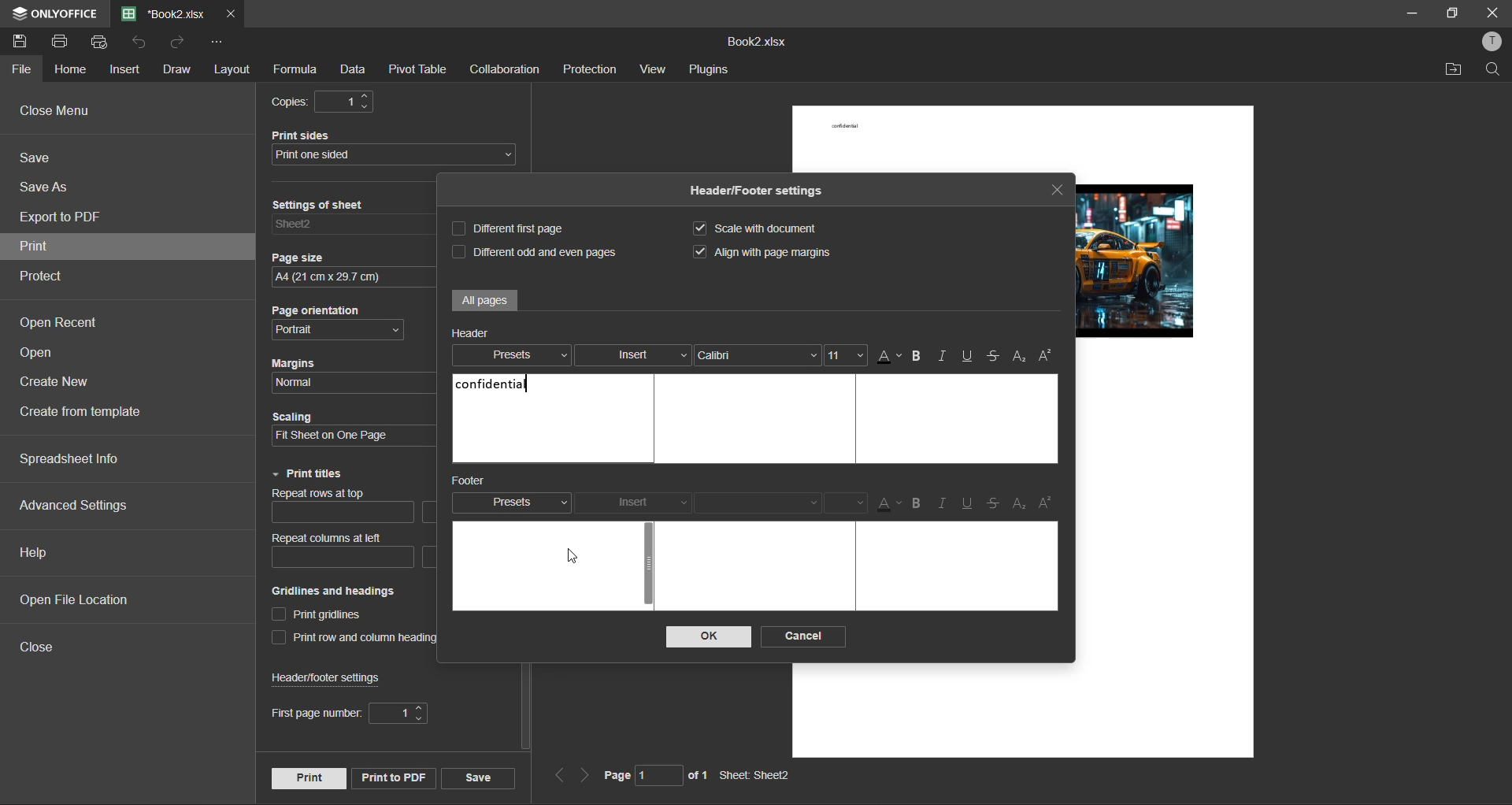  What do you see at coordinates (70, 15) in the screenshot?
I see `ONLYOFFICE` at bounding box center [70, 15].